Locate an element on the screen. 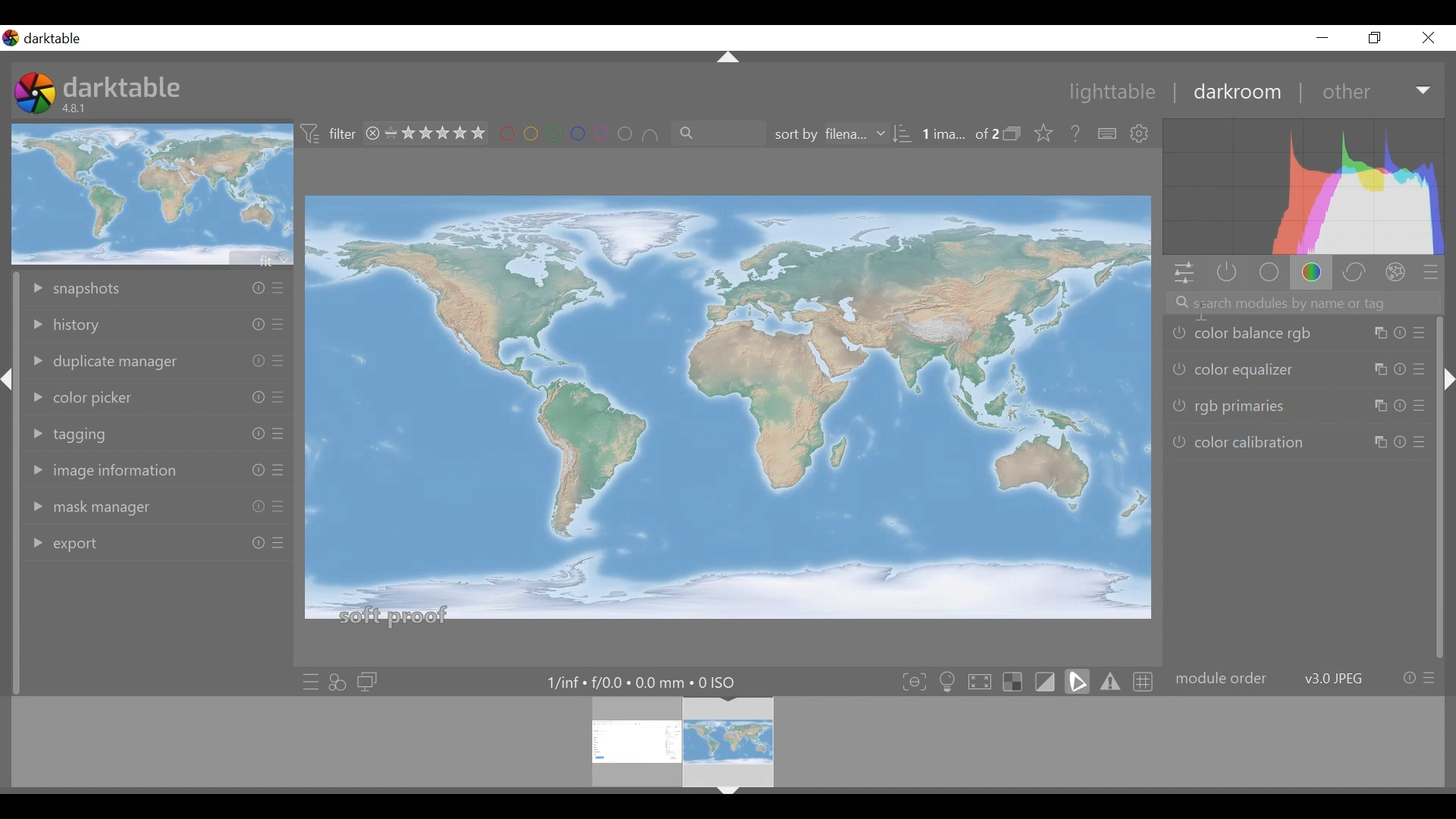  toggle indication of raw overexposure is located at coordinates (1017, 681).